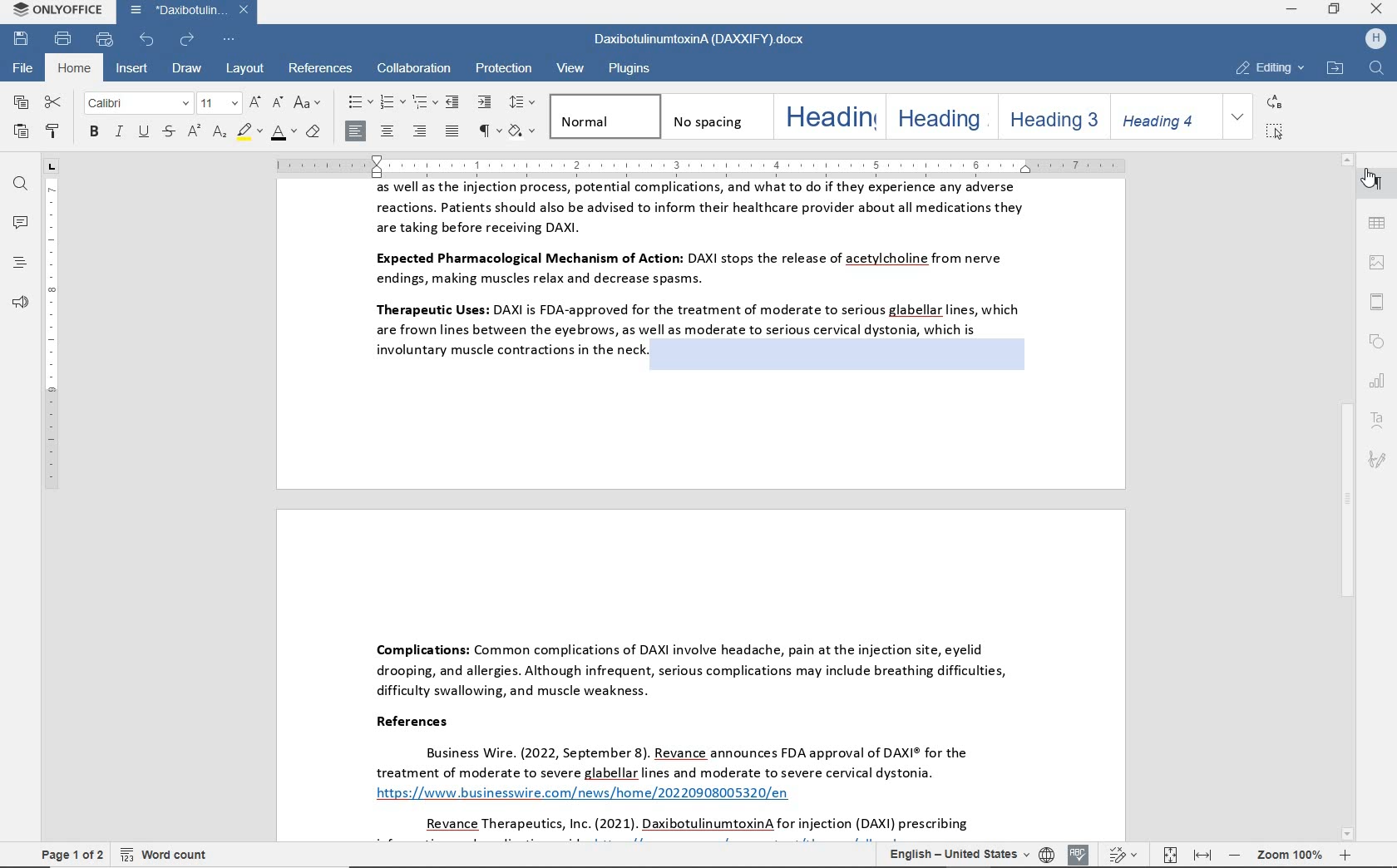 Image resolution: width=1397 pixels, height=868 pixels. Describe the element at coordinates (283, 135) in the screenshot. I see `font color` at that location.